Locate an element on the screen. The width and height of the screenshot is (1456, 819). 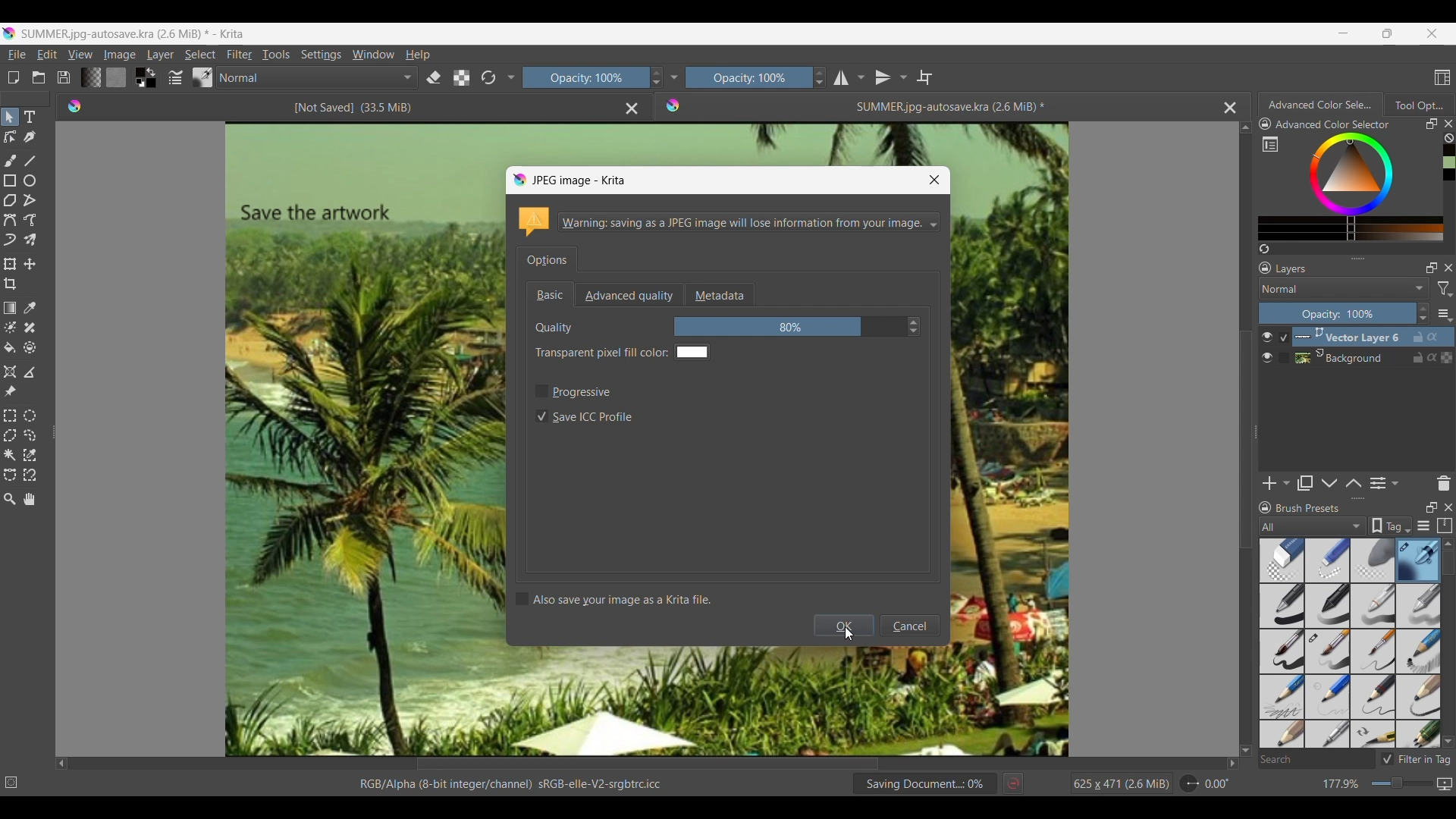
Window is located at coordinates (373, 54).